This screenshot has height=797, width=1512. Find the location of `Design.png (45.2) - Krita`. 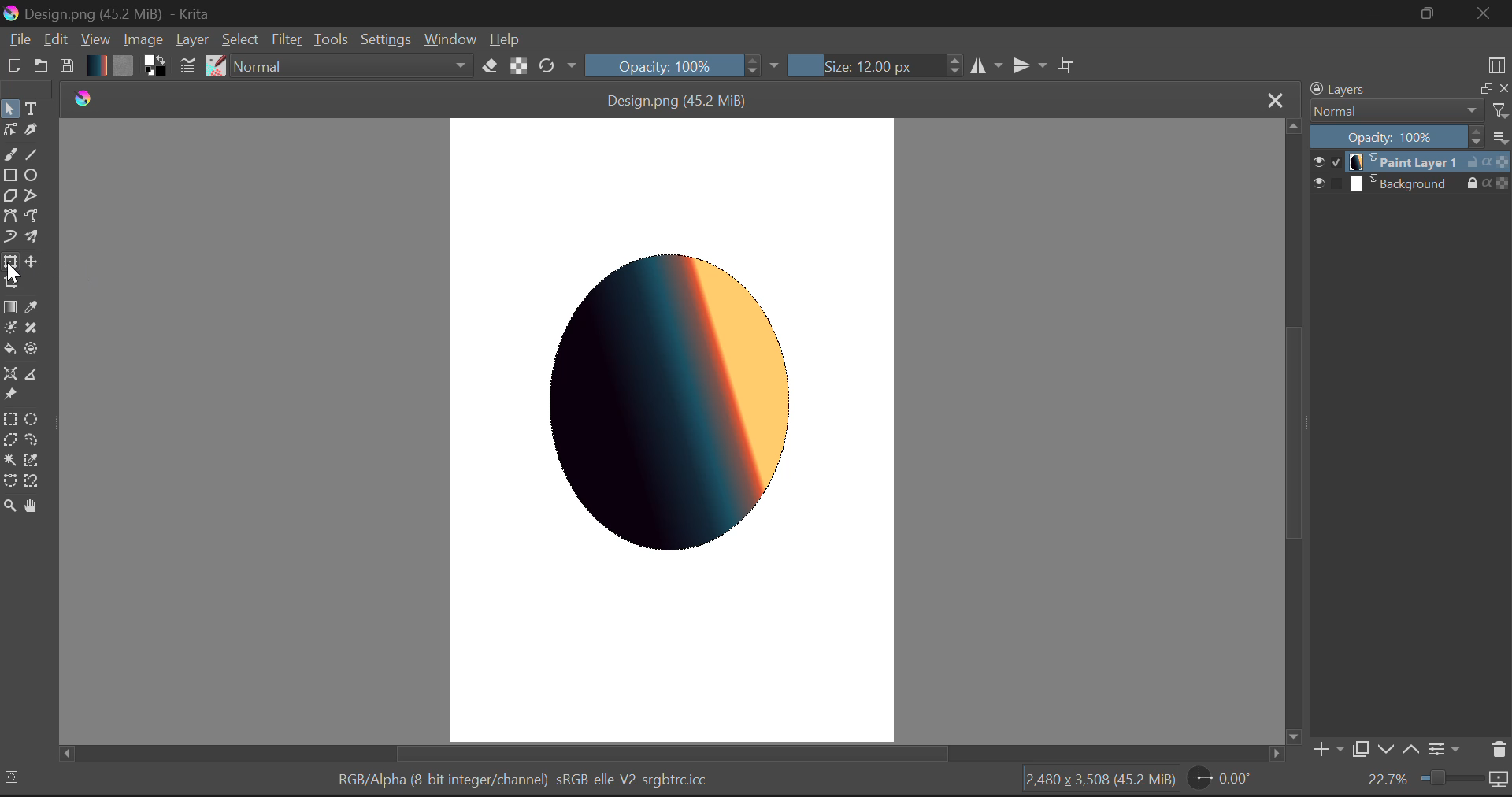

Design.png (45.2) - Krita is located at coordinates (159, 13).